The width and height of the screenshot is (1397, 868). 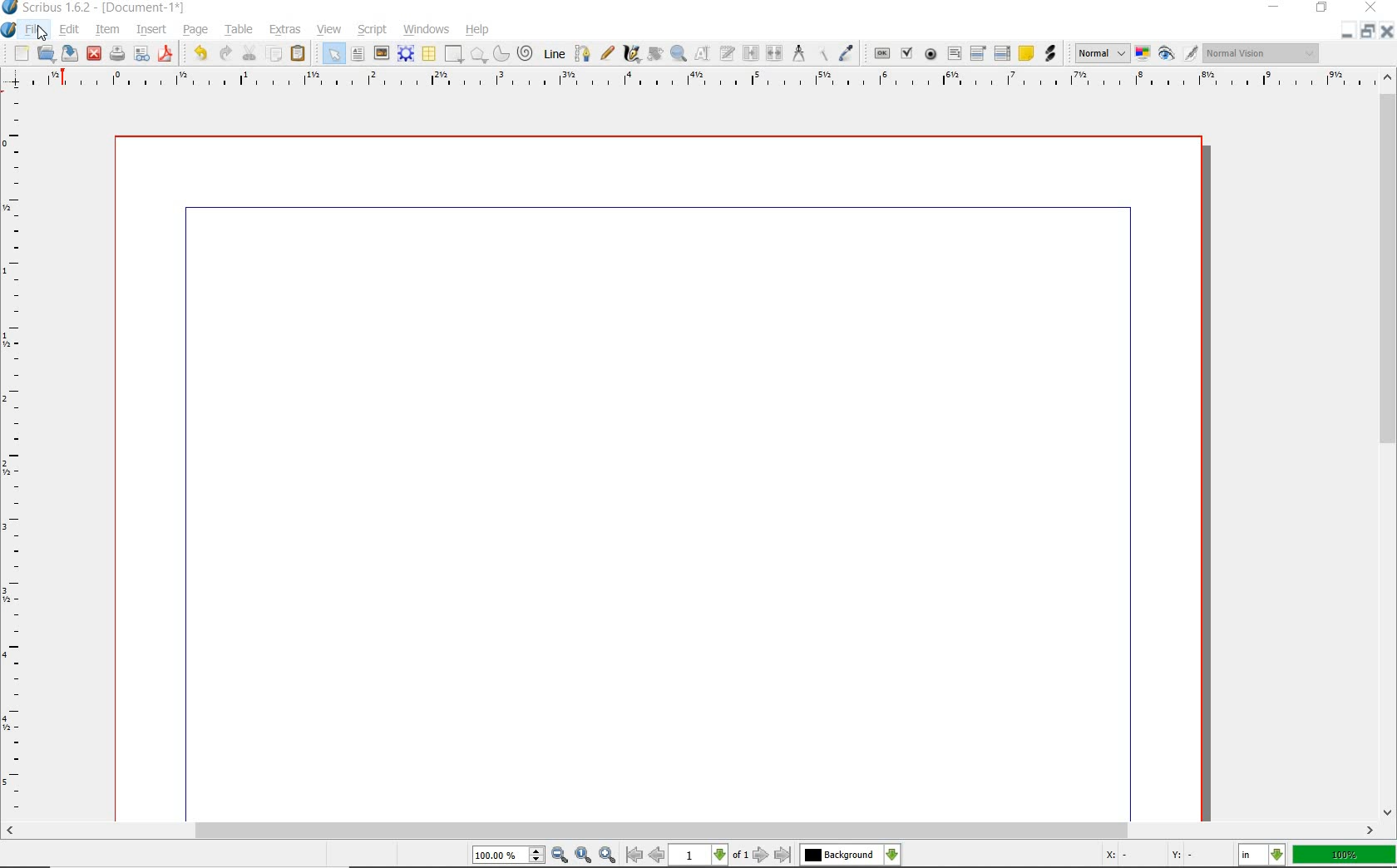 What do you see at coordinates (455, 54) in the screenshot?
I see `shape` at bounding box center [455, 54].